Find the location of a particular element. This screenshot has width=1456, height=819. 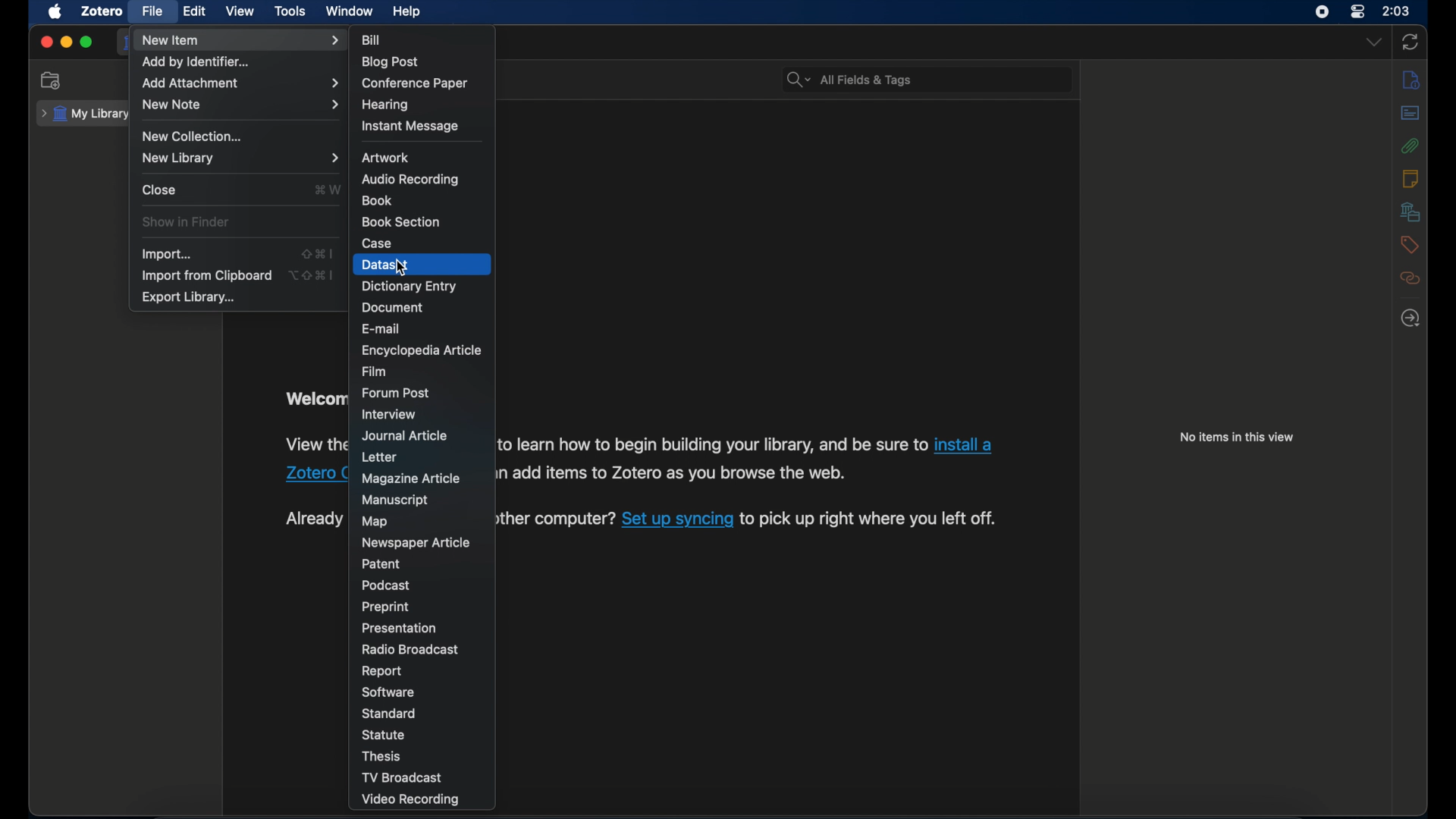

statue is located at coordinates (383, 734).